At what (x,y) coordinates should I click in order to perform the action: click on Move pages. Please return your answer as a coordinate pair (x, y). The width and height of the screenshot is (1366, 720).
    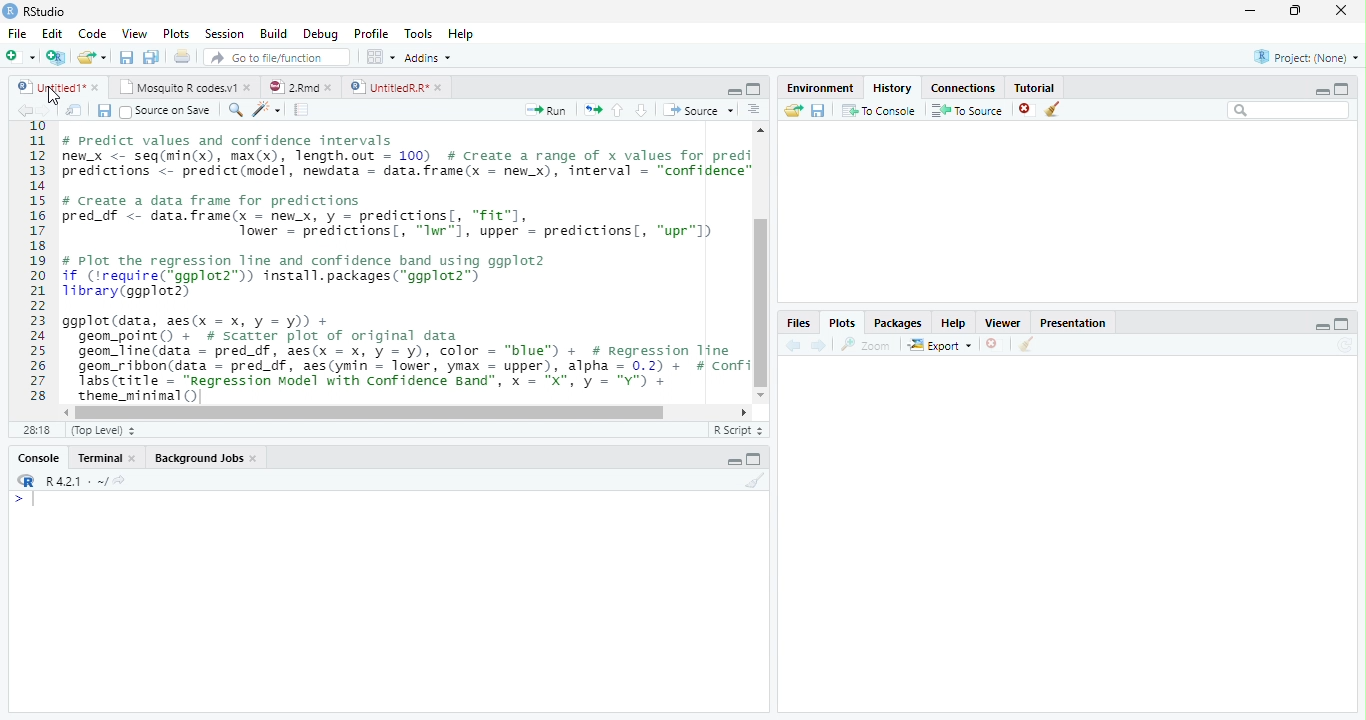
    Looking at the image, I should click on (590, 109).